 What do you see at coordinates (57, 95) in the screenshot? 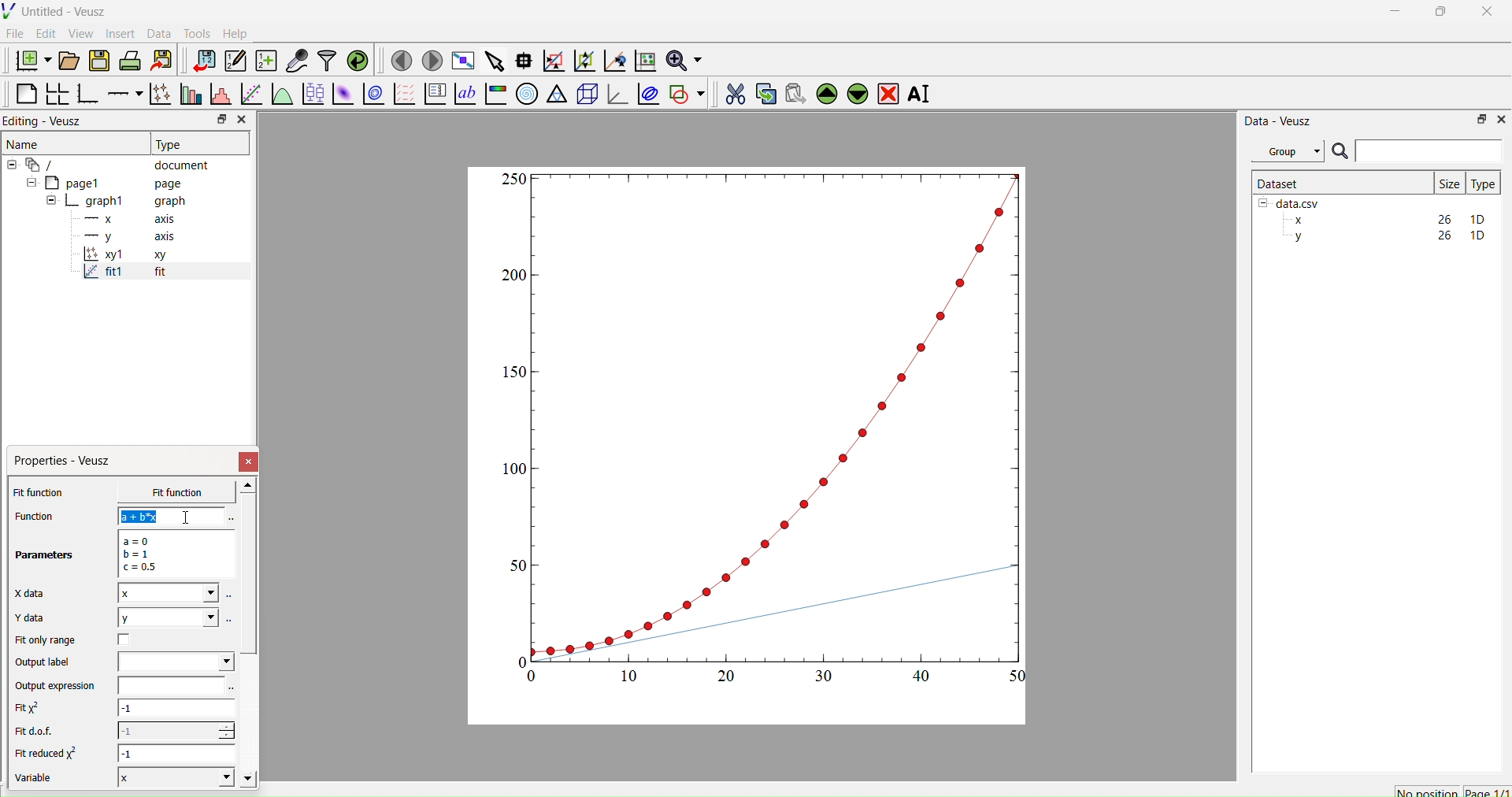
I see `Arrange graphs in grid` at bounding box center [57, 95].